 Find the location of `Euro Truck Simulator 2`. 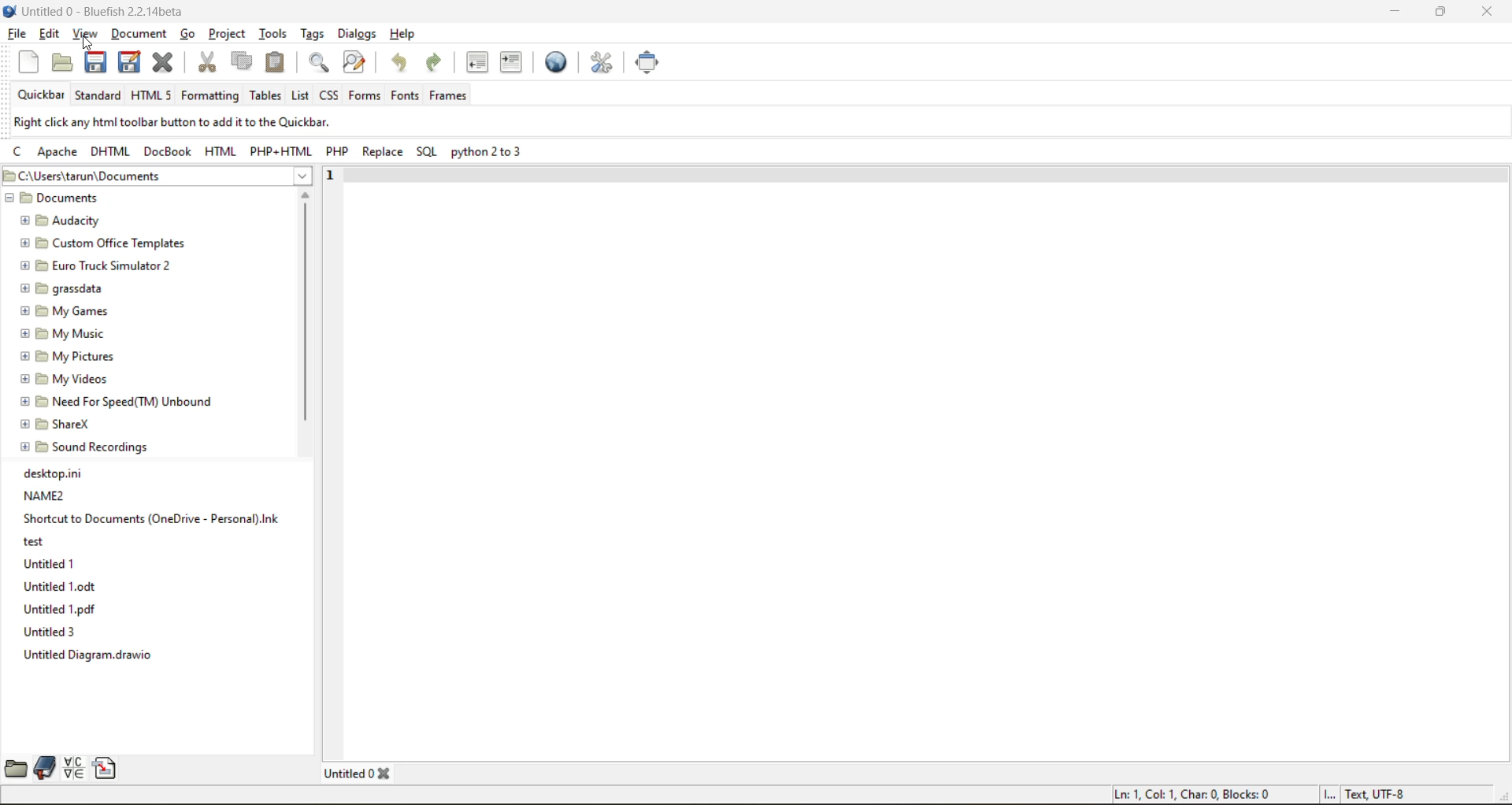

Euro Truck Simulator 2 is located at coordinates (98, 265).